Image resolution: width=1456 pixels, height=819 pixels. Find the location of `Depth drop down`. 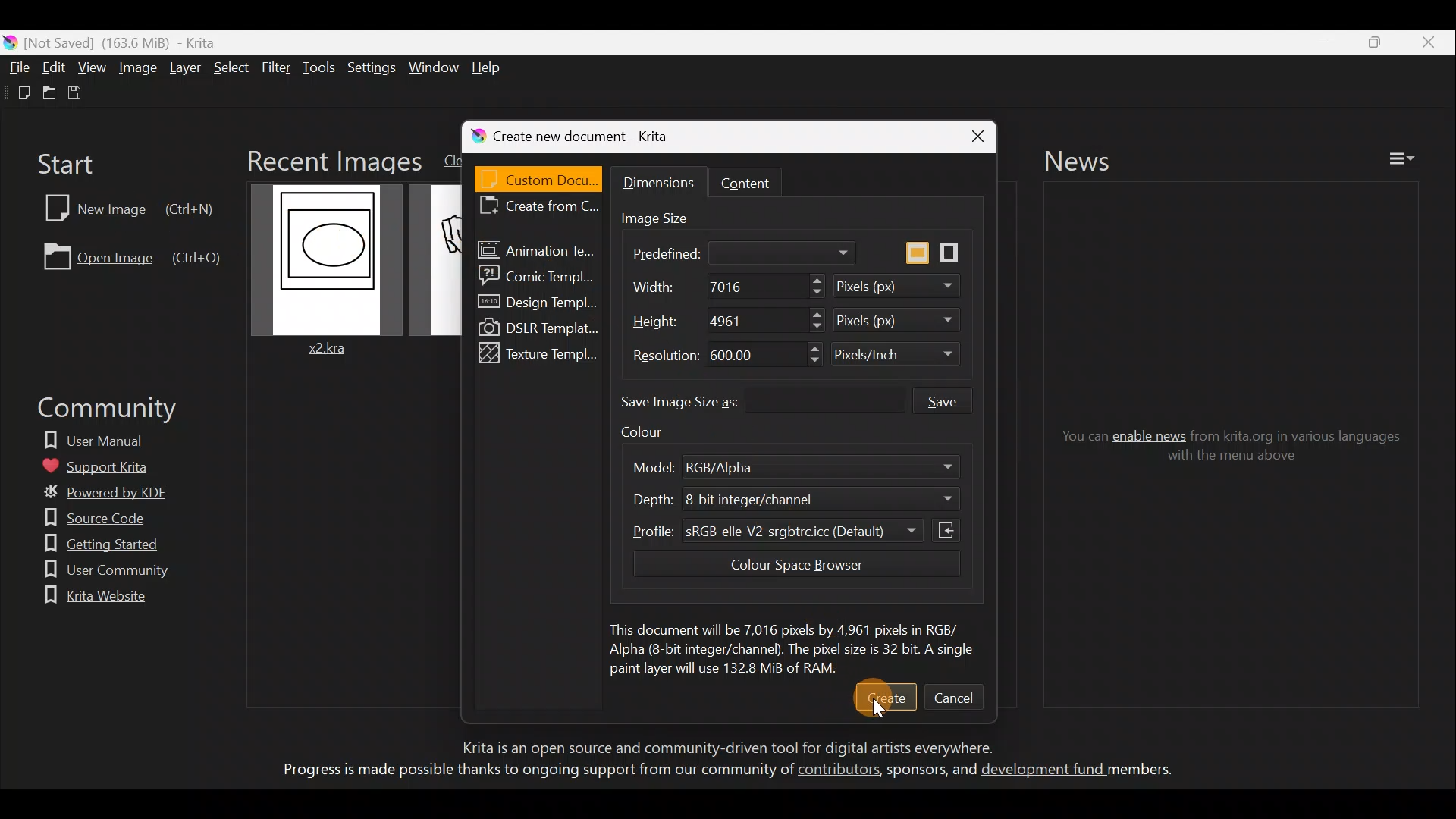

Depth drop down is located at coordinates (924, 497).